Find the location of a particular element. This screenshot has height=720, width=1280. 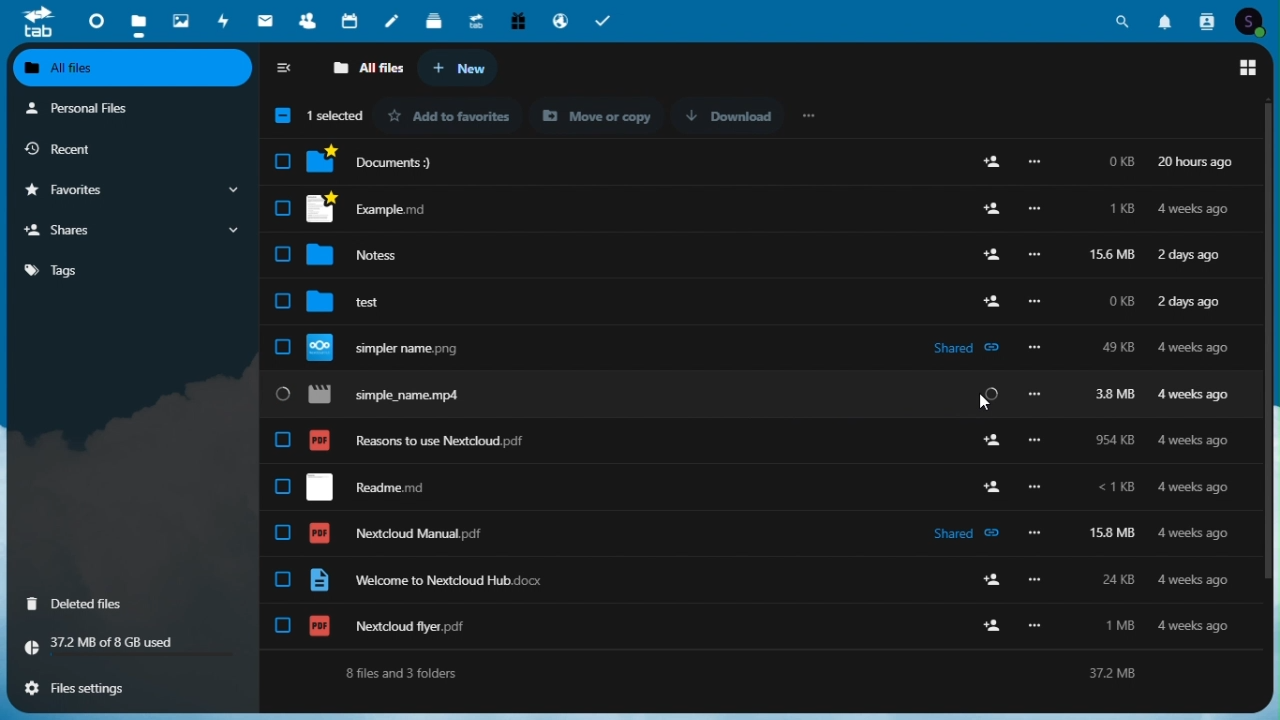

tab is located at coordinates (38, 21).